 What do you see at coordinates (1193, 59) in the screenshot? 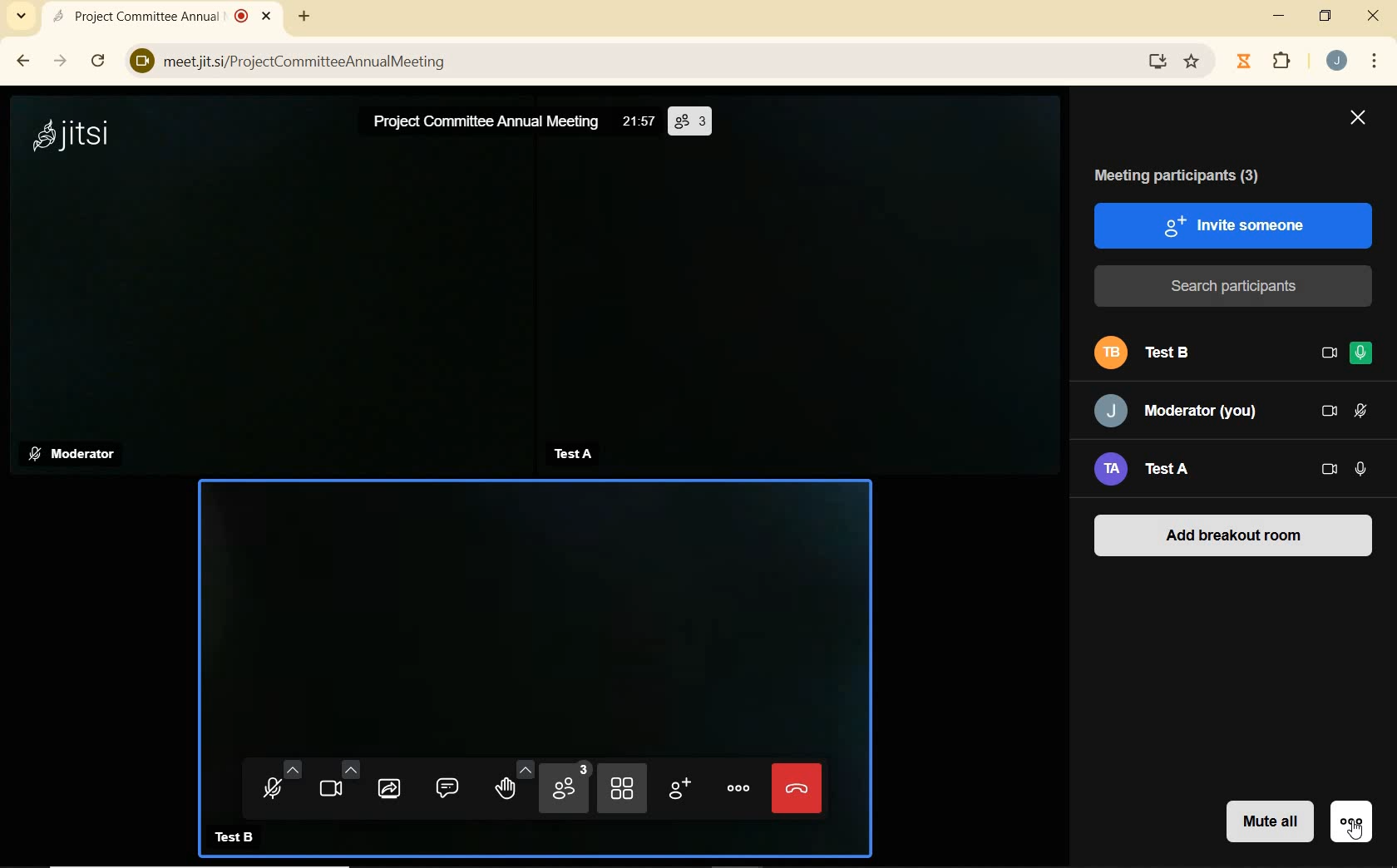
I see `Favorite` at bounding box center [1193, 59].